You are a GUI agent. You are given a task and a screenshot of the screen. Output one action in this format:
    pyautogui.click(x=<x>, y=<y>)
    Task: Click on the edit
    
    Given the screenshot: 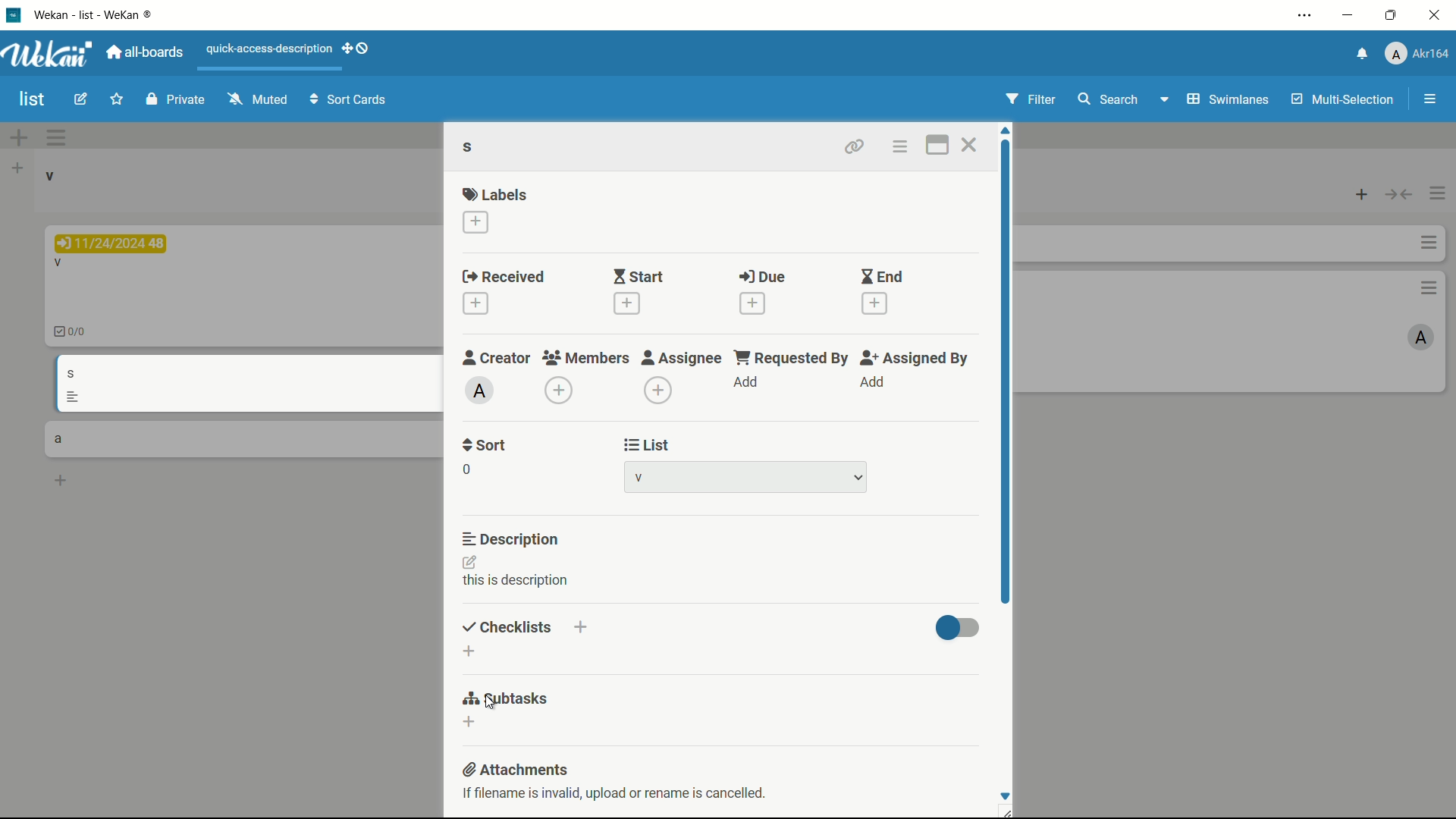 What is the action you would take?
    pyautogui.click(x=80, y=100)
    